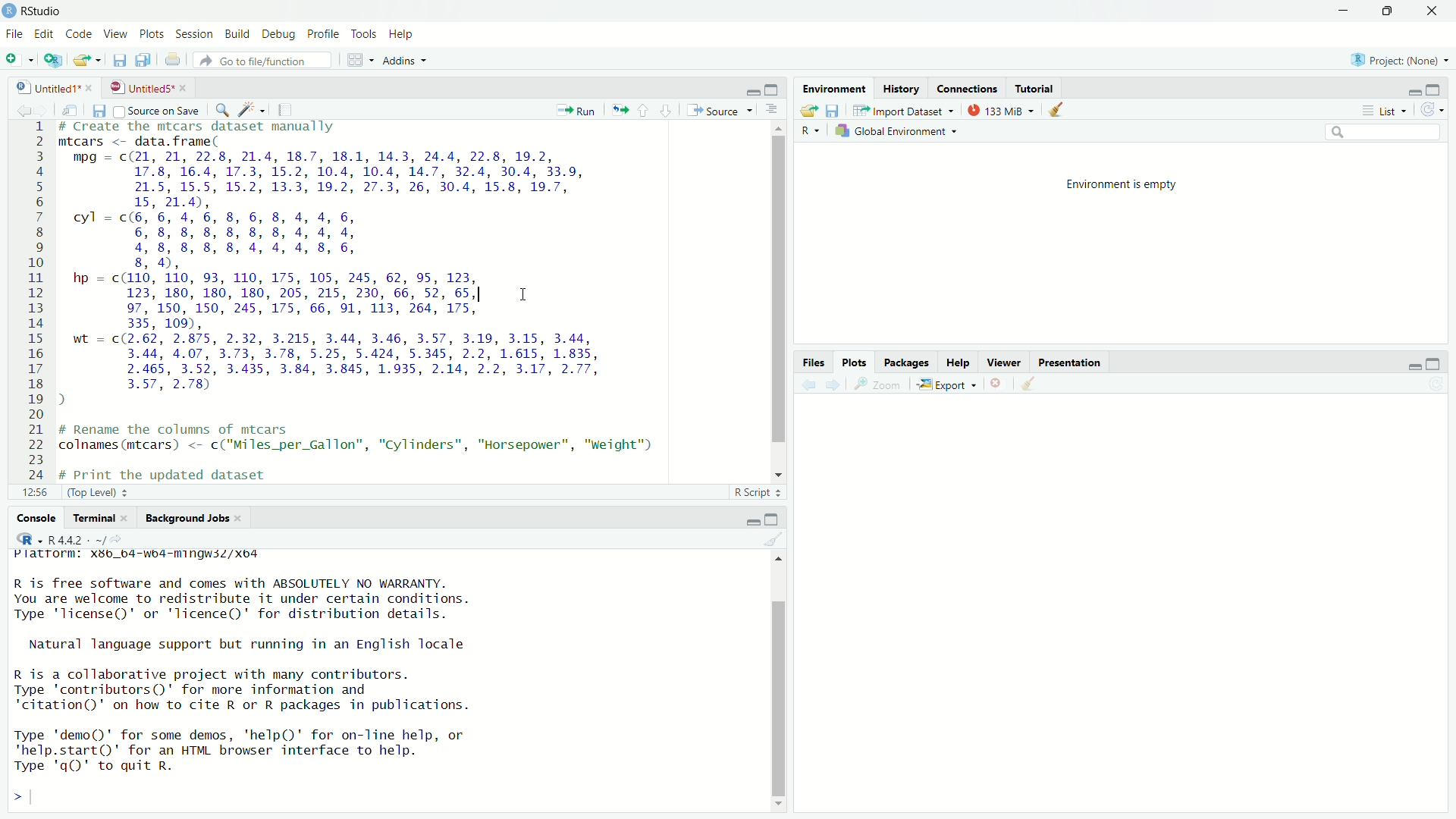 The height and width of the screenshot is (819, 1456). What do you see at coordinates (667, 106) in the screenshot?
I see `downward` at bounding box center [667, 106].